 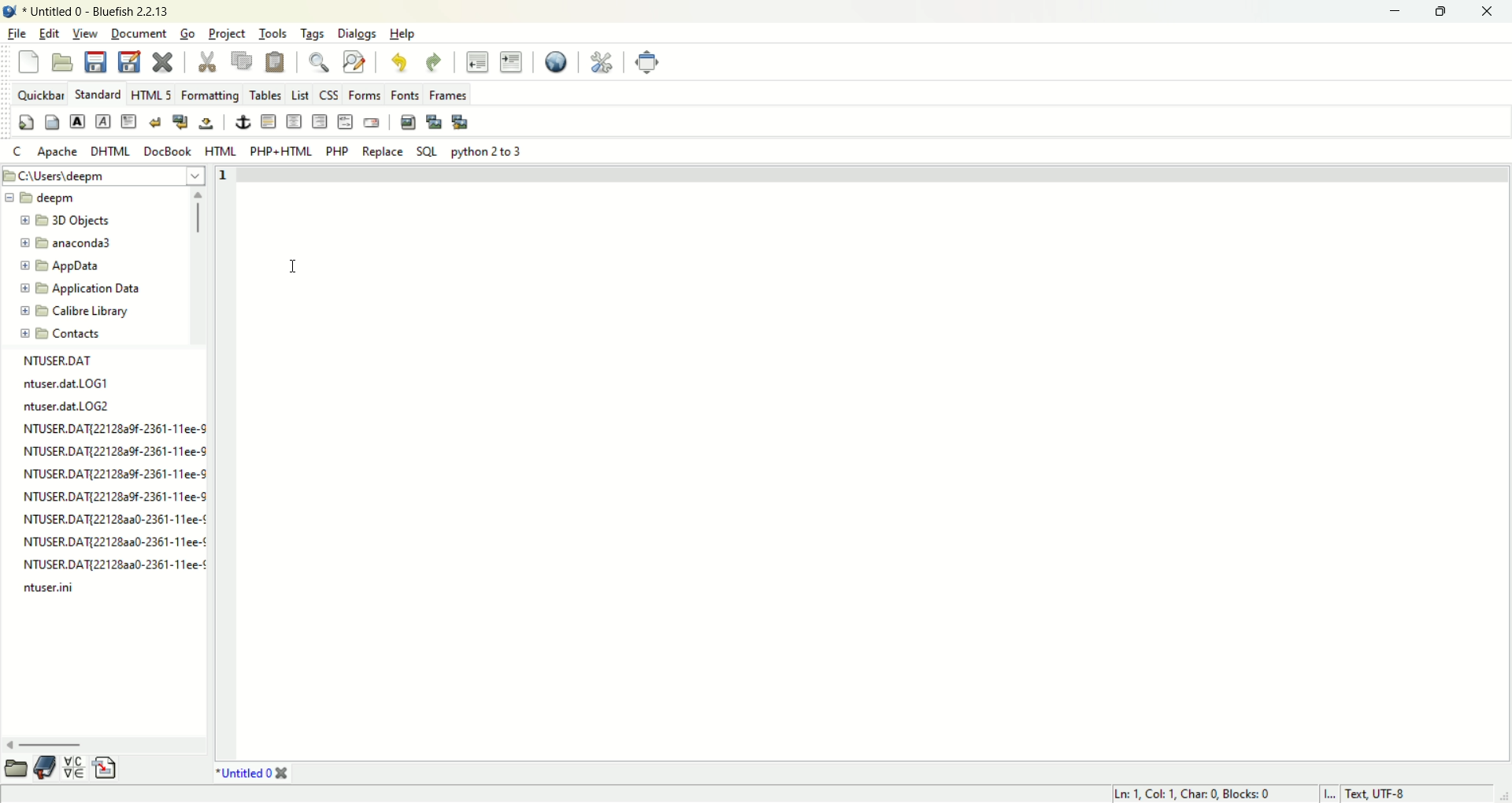 What do you see at coordinates (600, 62) in the screenshot?
I see `preferences` at bounding box center [600, 62].